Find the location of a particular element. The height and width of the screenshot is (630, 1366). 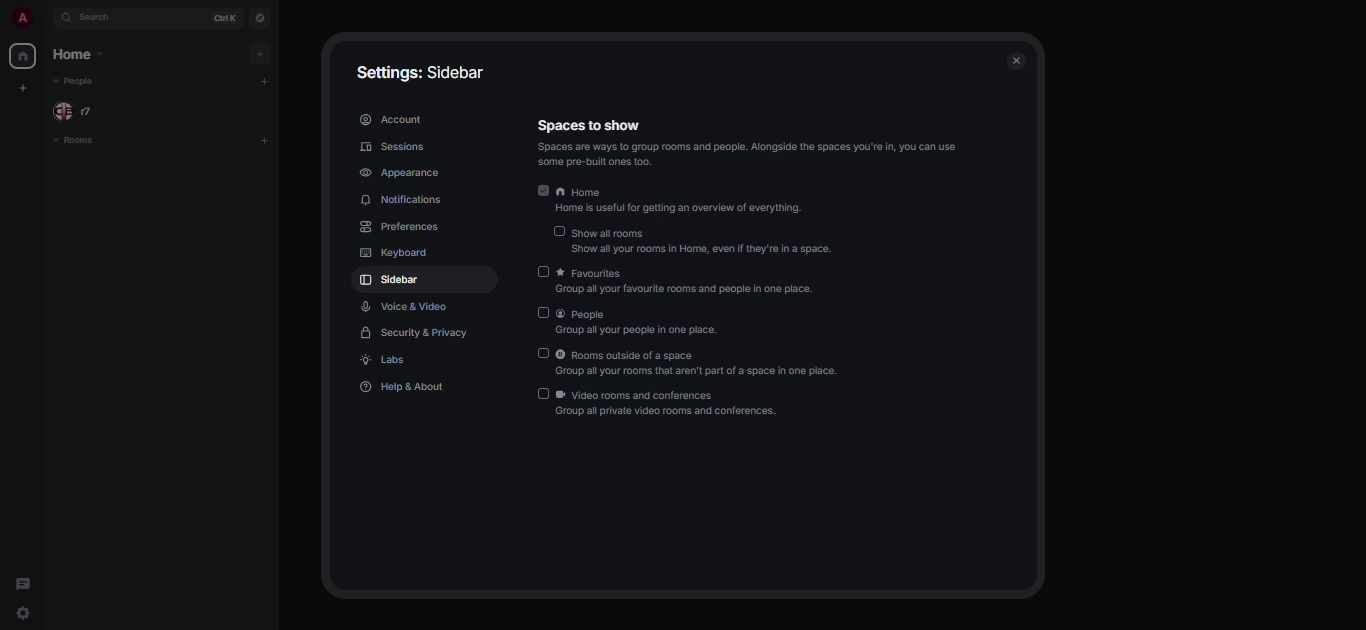

settings: sidebar is located at coordinates (423, 71).